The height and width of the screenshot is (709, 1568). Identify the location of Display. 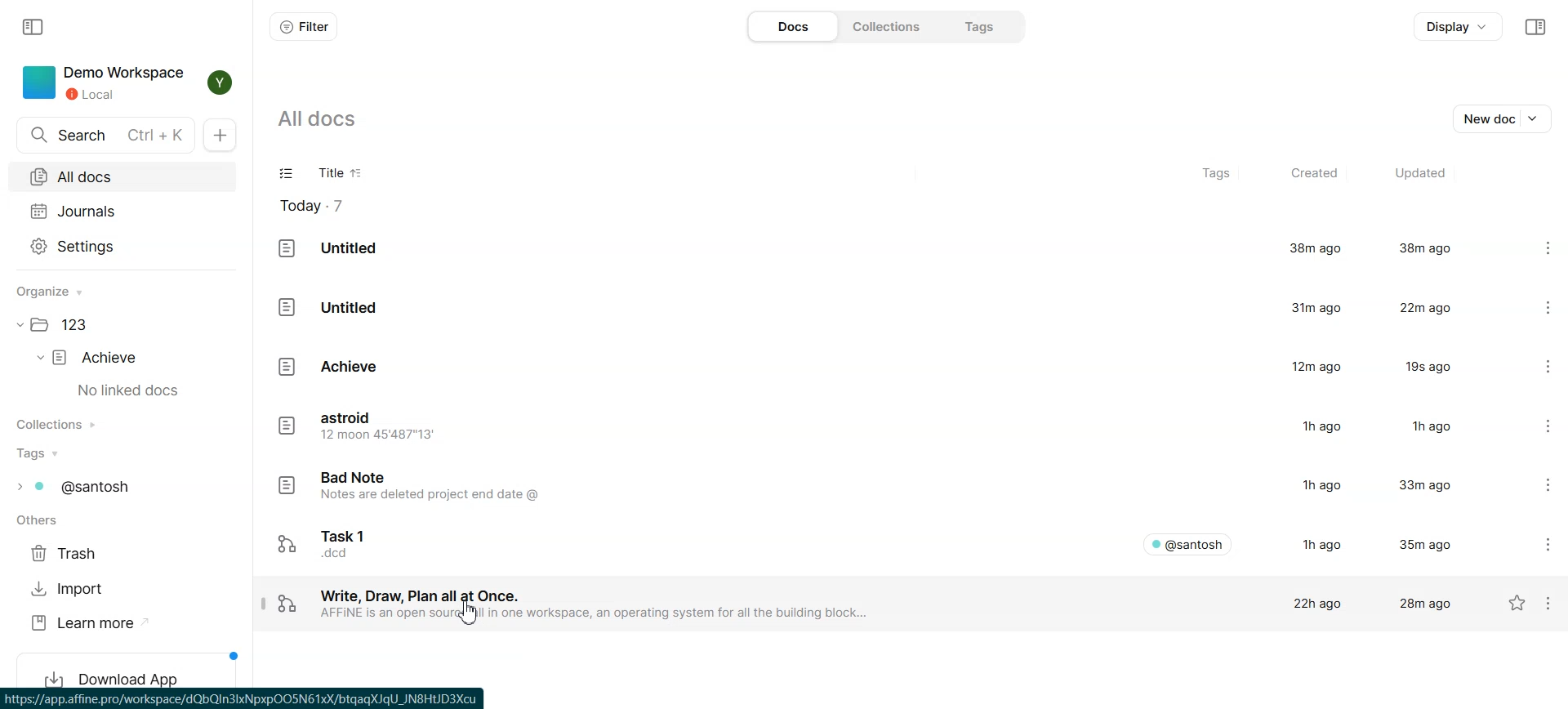
(1459, 27).